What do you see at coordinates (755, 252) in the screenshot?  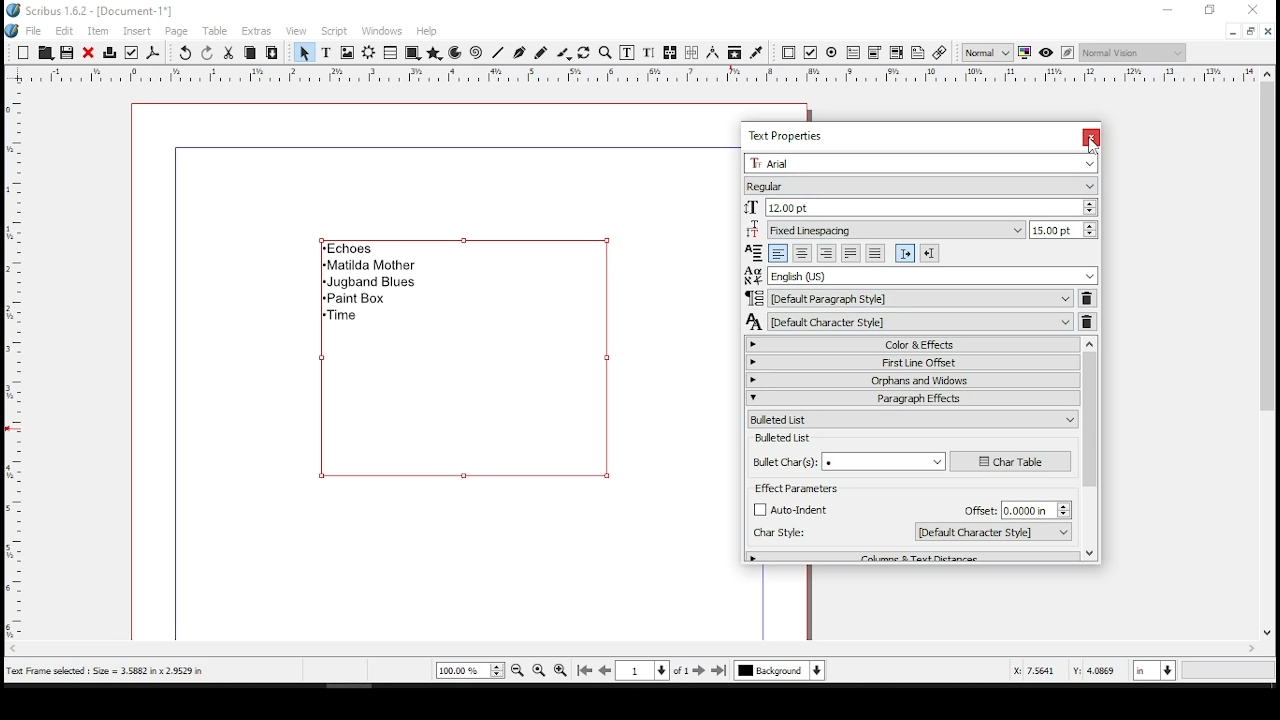 I see `` at bounding box center [755, 252].